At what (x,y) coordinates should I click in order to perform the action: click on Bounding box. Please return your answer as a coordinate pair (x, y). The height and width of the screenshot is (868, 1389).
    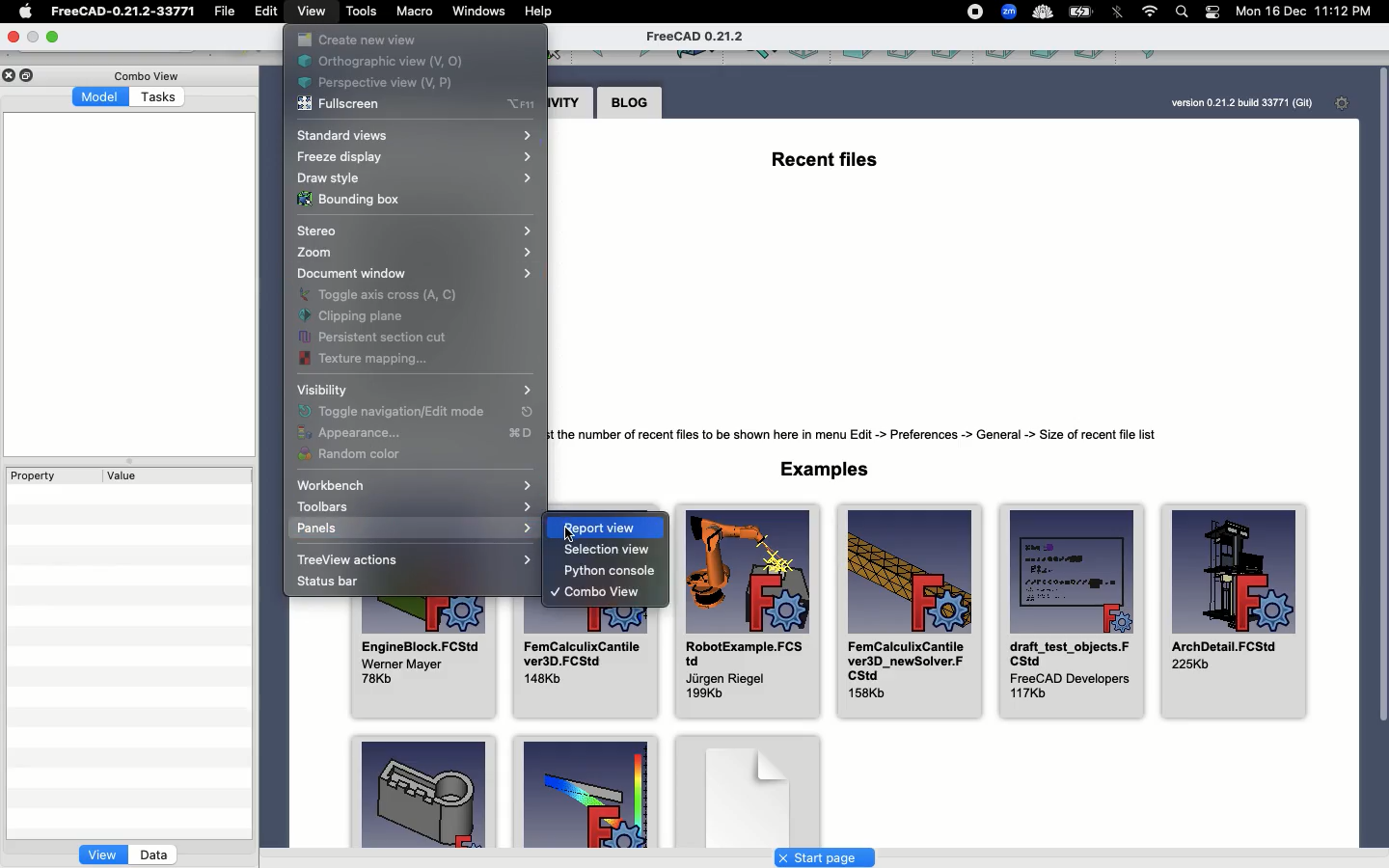
    Looking at the image, I should click on (349, 200).